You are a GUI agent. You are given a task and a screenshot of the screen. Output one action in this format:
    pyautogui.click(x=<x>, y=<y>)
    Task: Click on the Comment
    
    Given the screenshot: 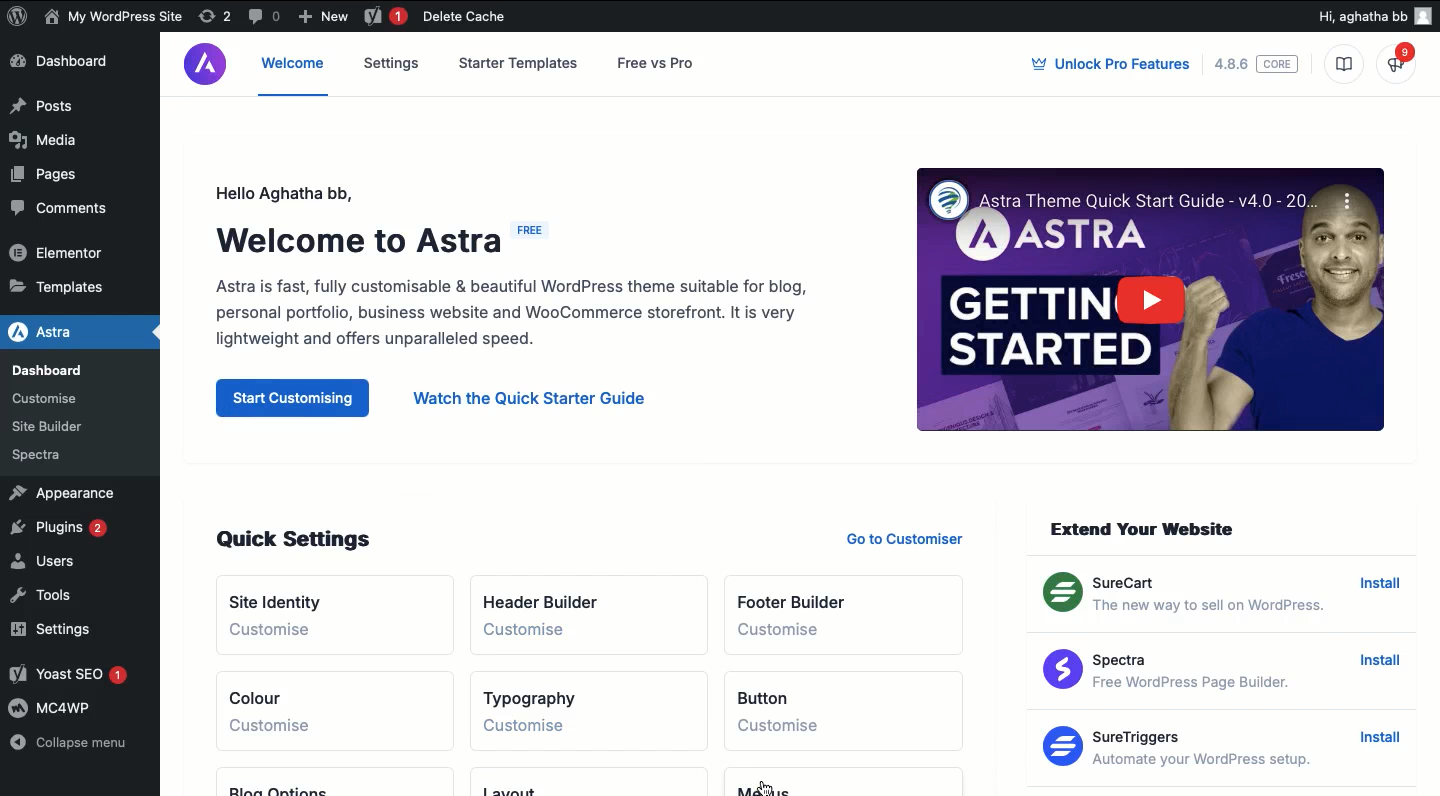 What is the action you would take?
    pyautogui.click(x=265, y=15)
    